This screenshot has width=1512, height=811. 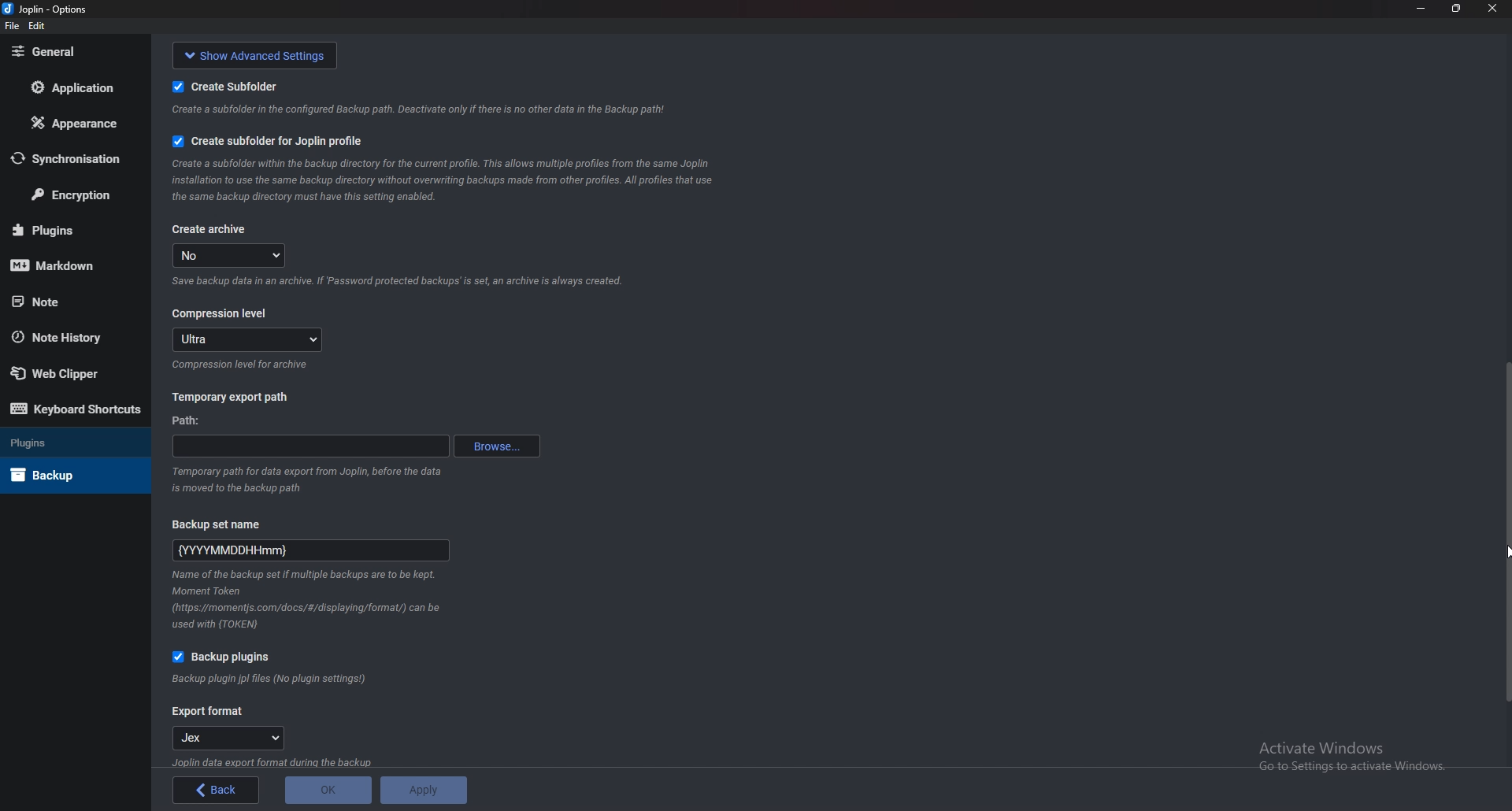 What do you see at coordinates (314, 580) in the screenshot?
I see `Info` at bounding box center [314, 580].